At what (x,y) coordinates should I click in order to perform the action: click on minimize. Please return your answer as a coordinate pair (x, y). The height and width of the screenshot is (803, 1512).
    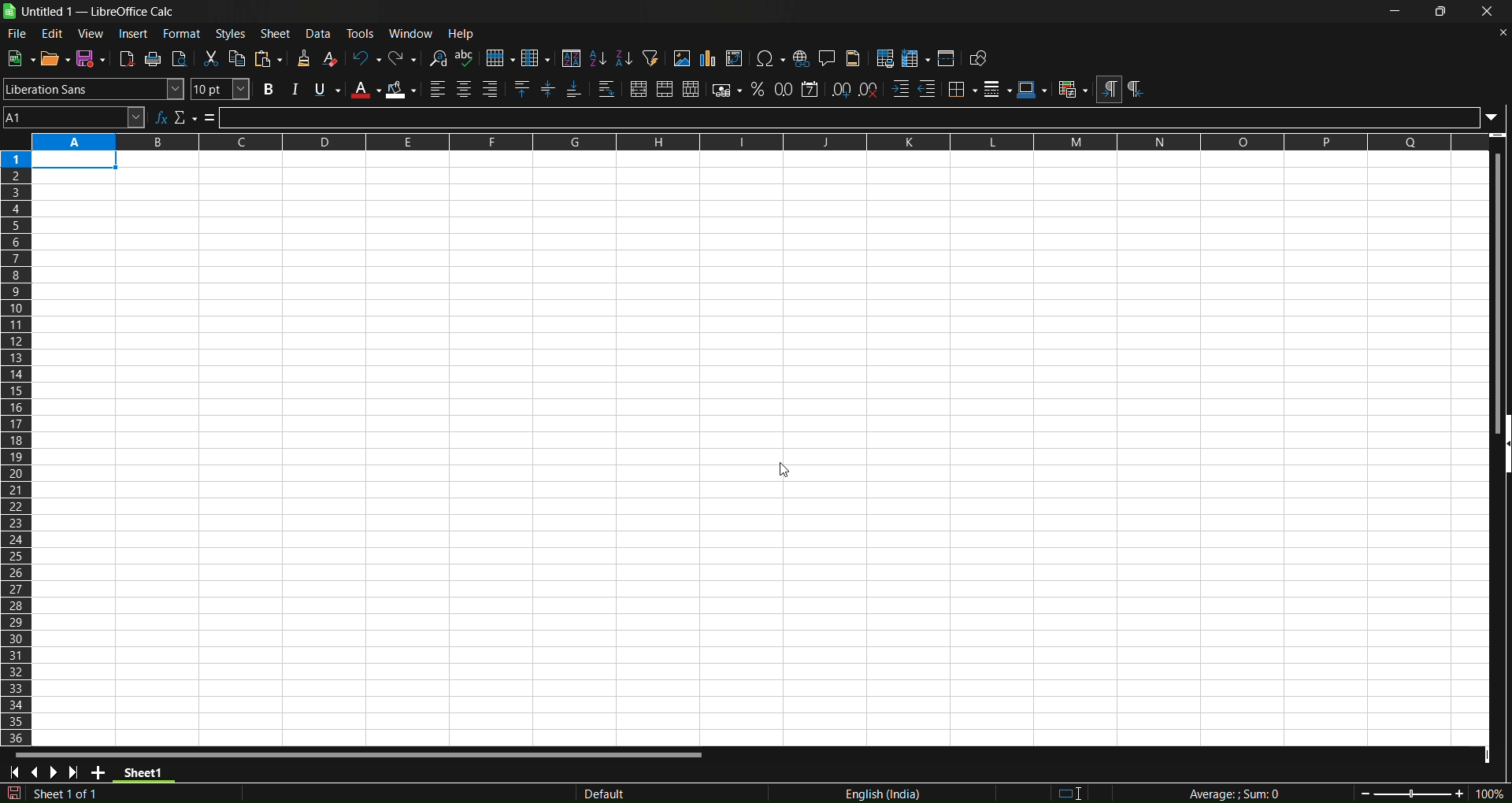
    Looking at the image, I should click on (1395, 11).